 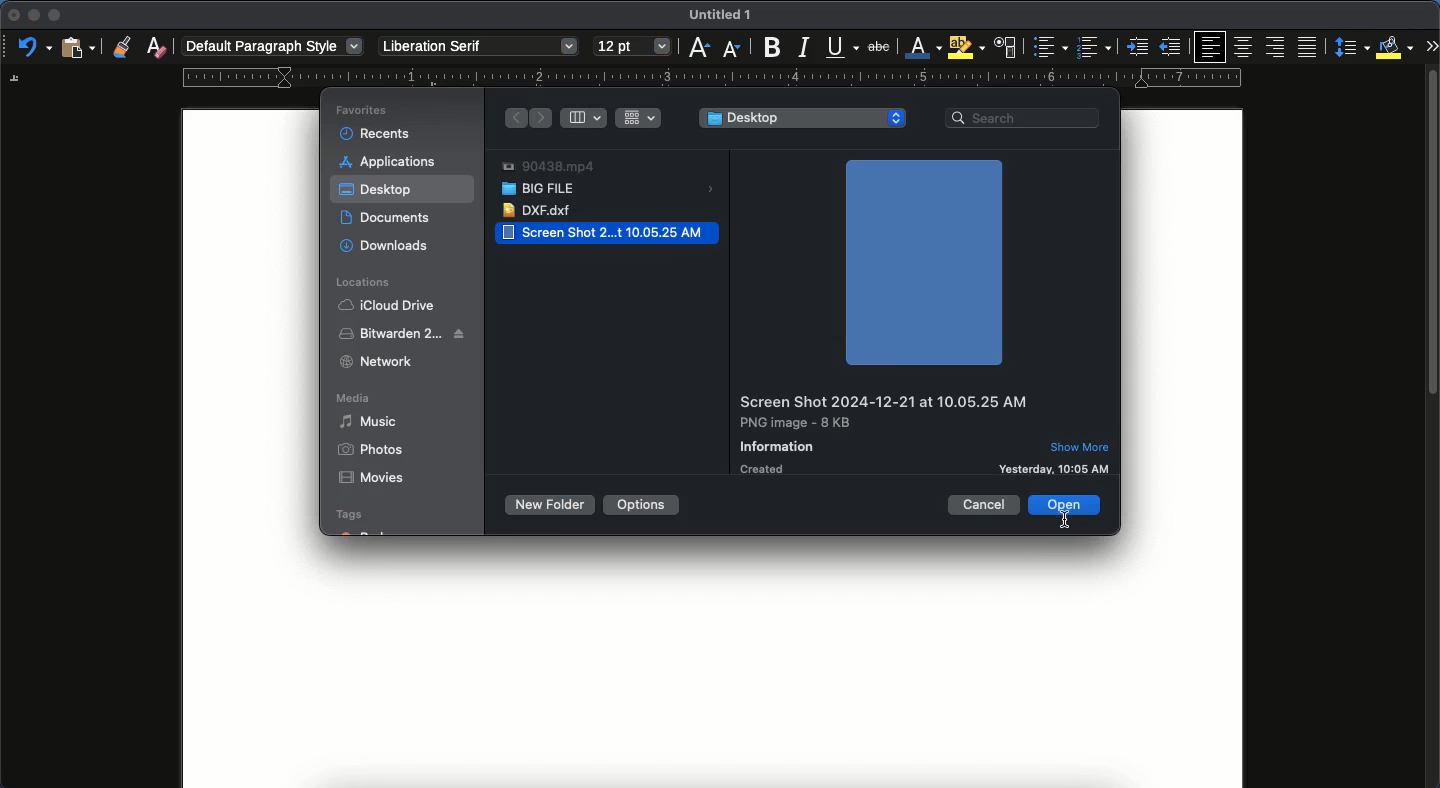 I want to click on page, so click(x=712, y=674).